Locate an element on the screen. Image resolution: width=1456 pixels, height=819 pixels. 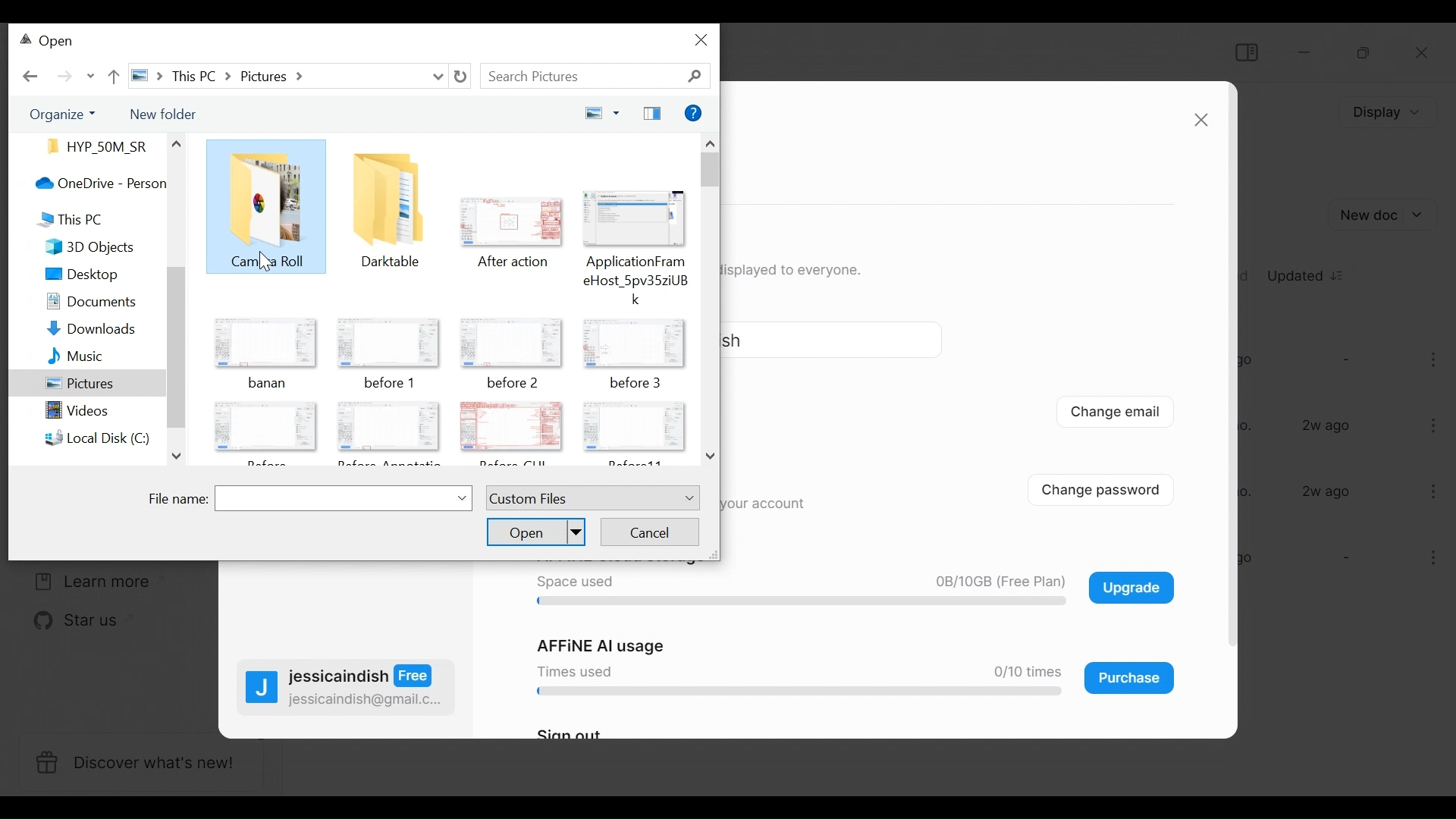
Star us is located at coordinates (67, 622).